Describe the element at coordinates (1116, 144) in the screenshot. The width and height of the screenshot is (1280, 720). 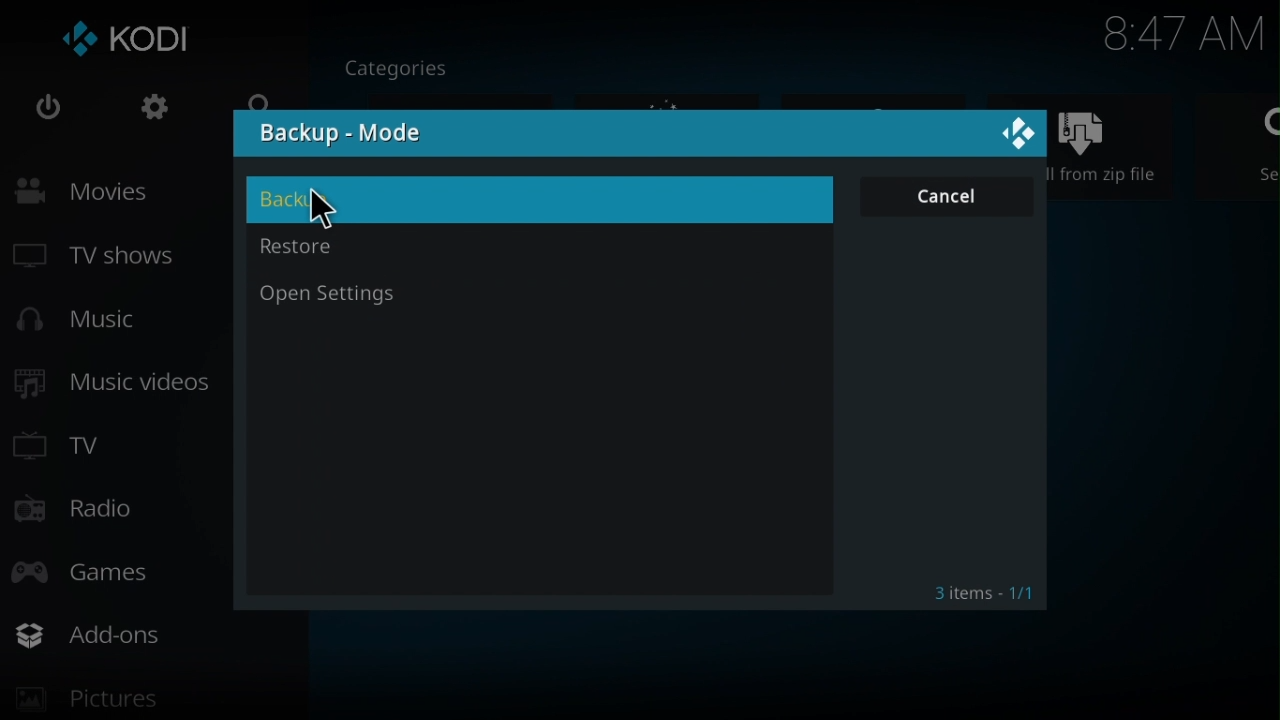
I see `Install from zip file` at that location.